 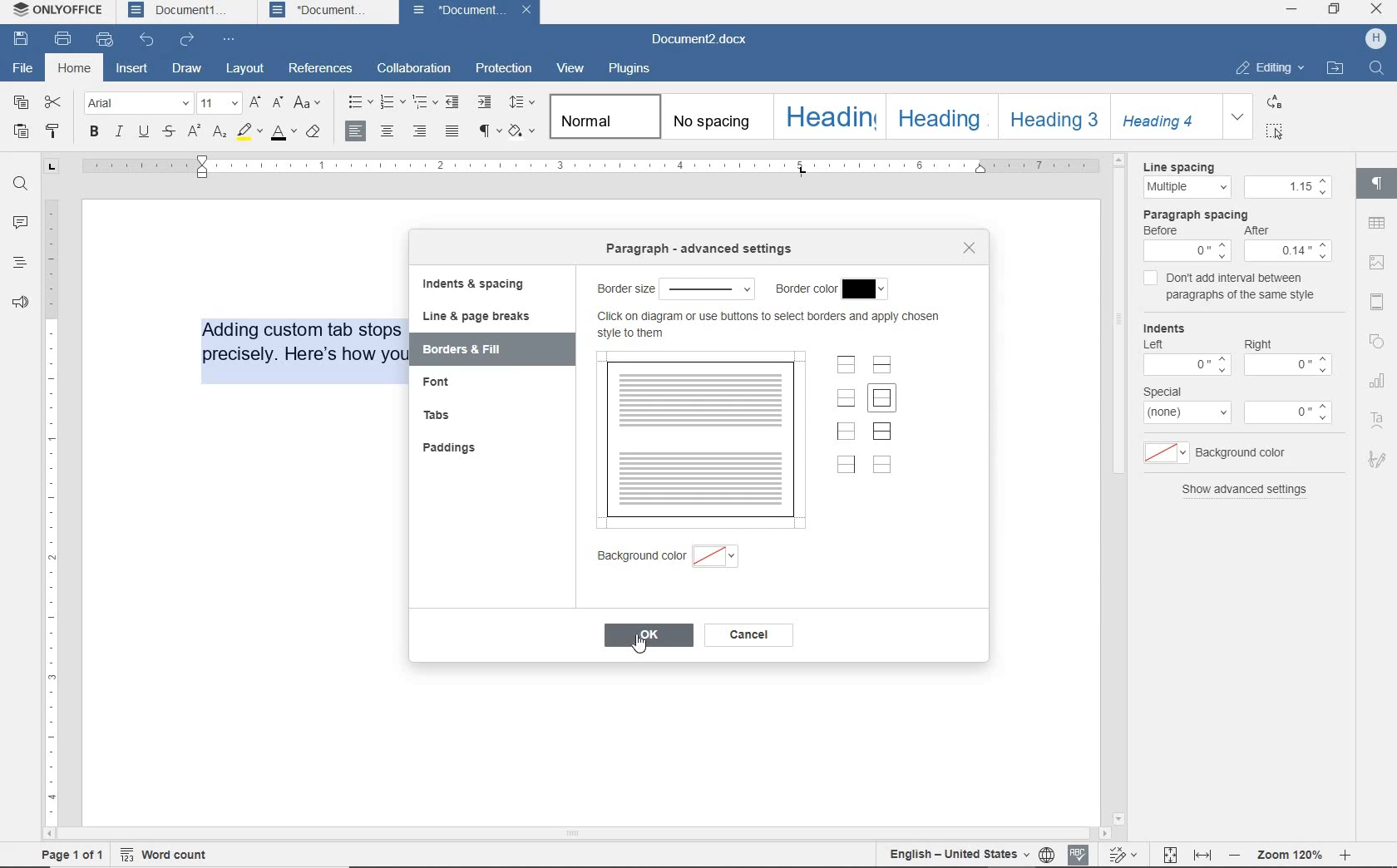 What do you see at coordinates (1335, 68) in the screenshot?
I see `open file location` at bounding box center [1335, 68].